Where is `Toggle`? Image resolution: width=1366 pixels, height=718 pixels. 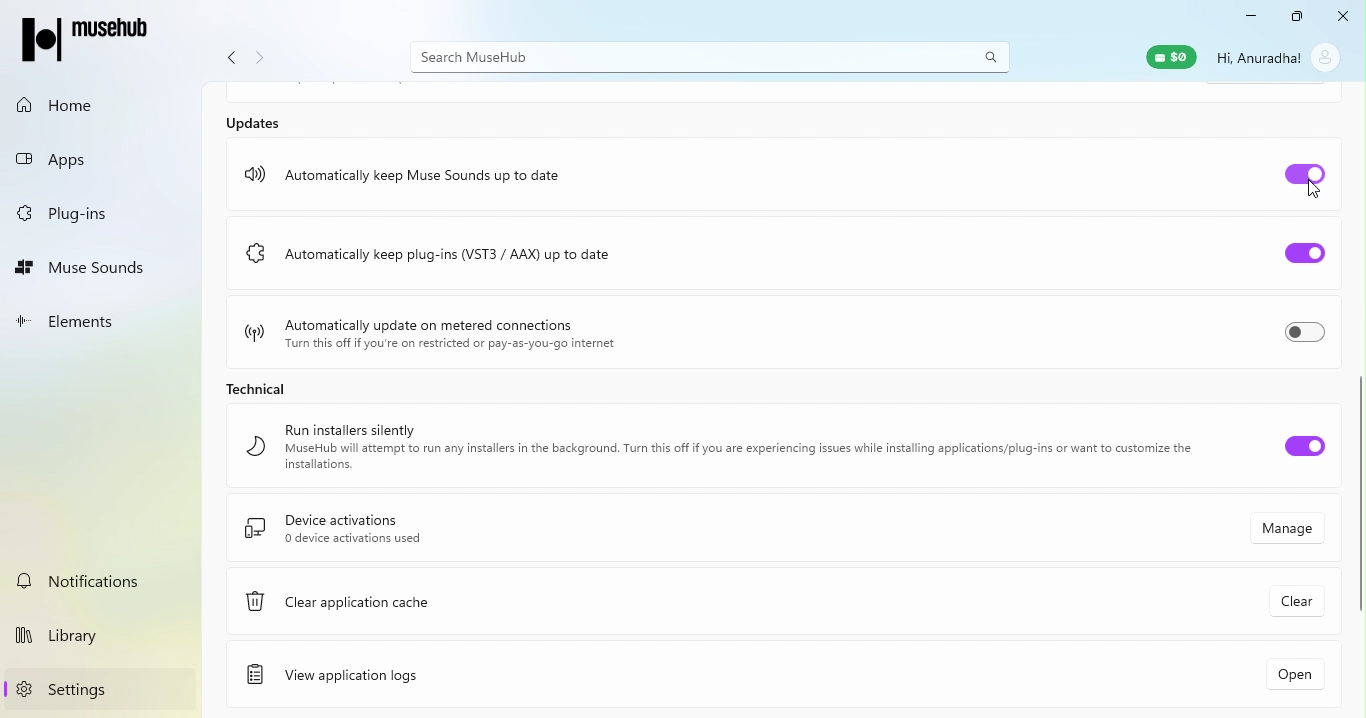
Toggle is located at coordinates (1295, 248).